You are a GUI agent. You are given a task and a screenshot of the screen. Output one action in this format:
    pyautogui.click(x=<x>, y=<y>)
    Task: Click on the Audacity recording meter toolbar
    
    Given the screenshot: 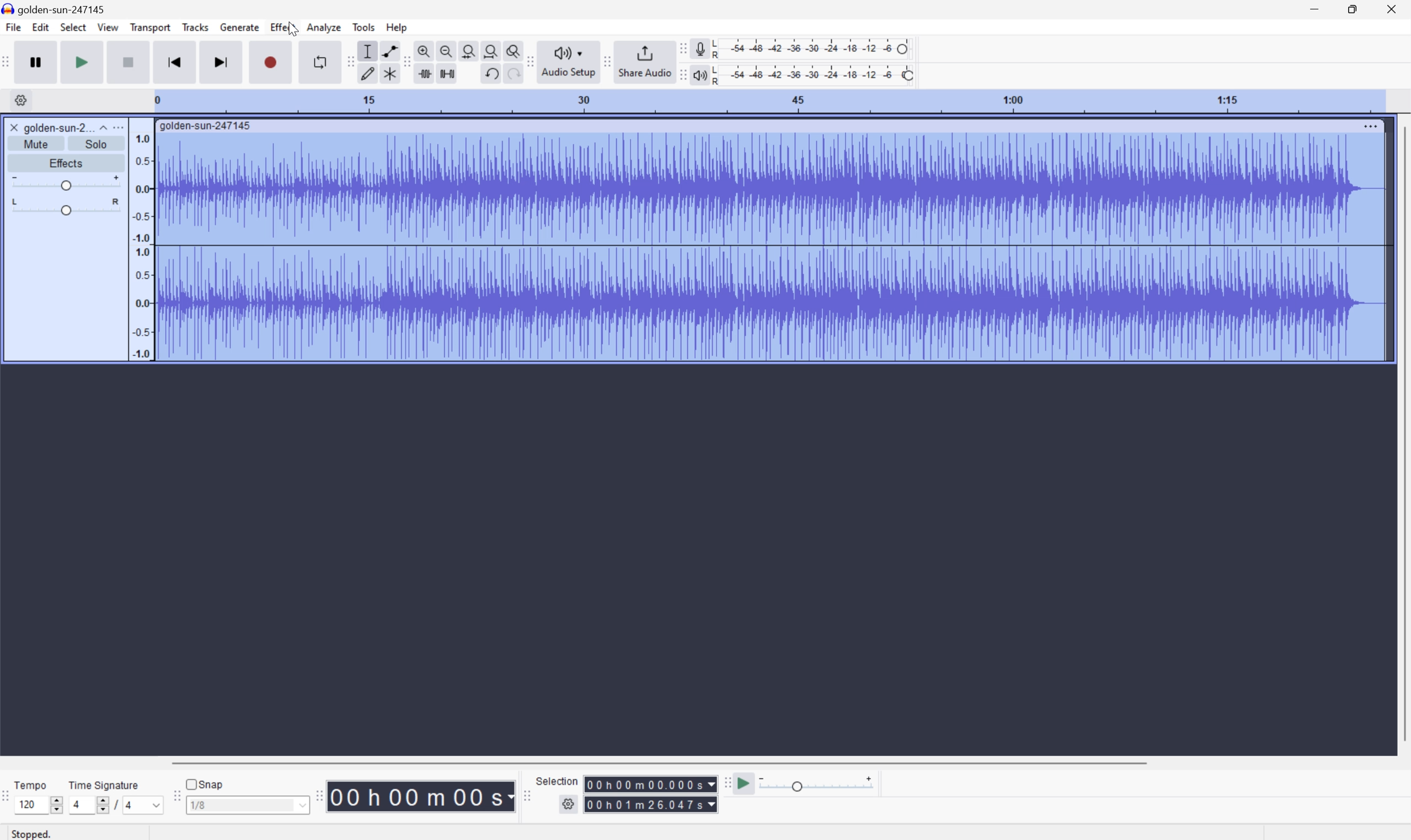 What is the action you would take?
    pyautogui.click(x=680, y=49)
    